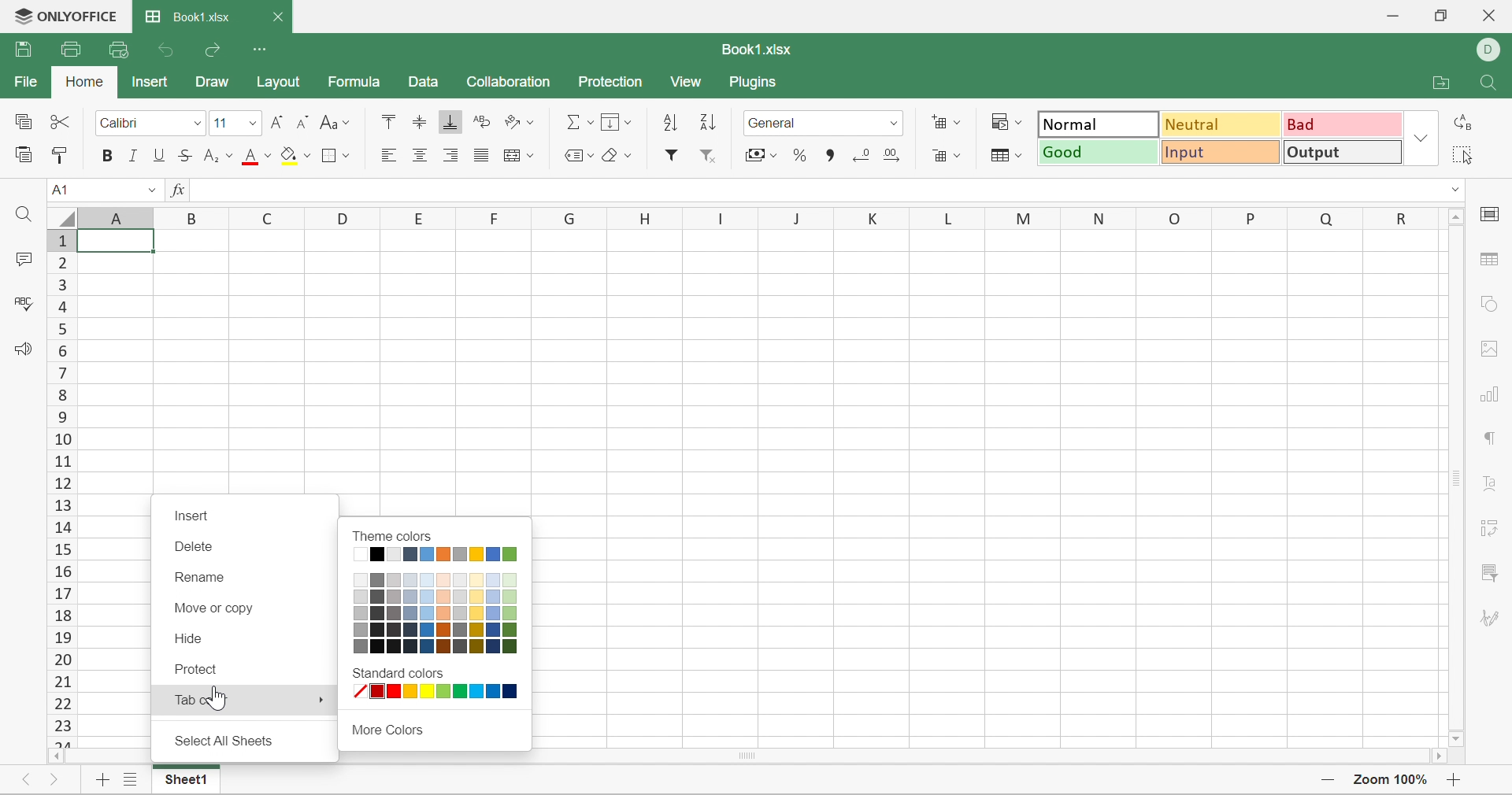 The height and width of the screenshot is (795, 1512). What do you see at coordinates (51, 782) in the screenshot?
I see `Next` at bounding box center [51, 782].